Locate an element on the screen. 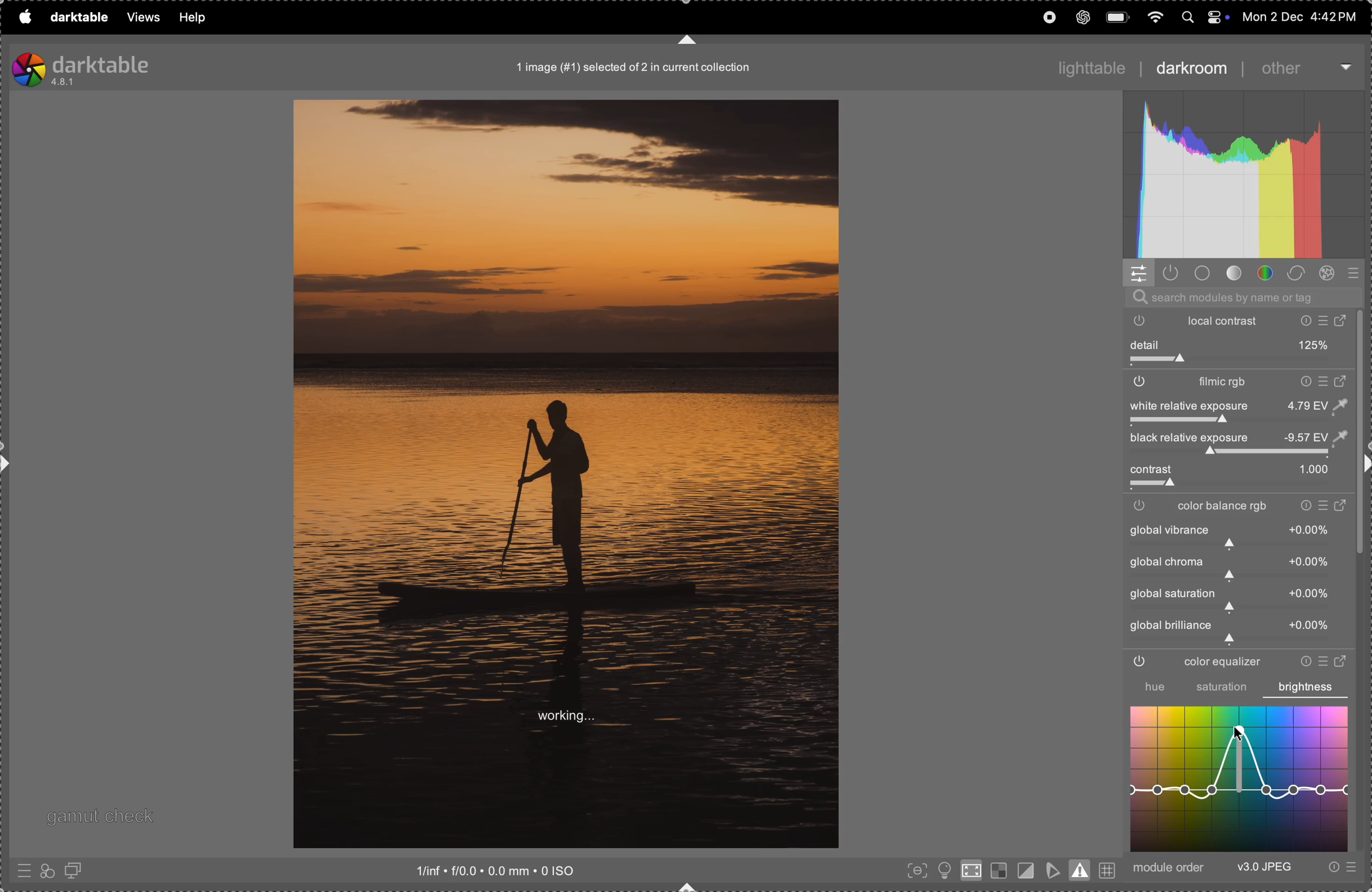 The image size is (1372, 892). tone is located at coordinates (1234, 274).